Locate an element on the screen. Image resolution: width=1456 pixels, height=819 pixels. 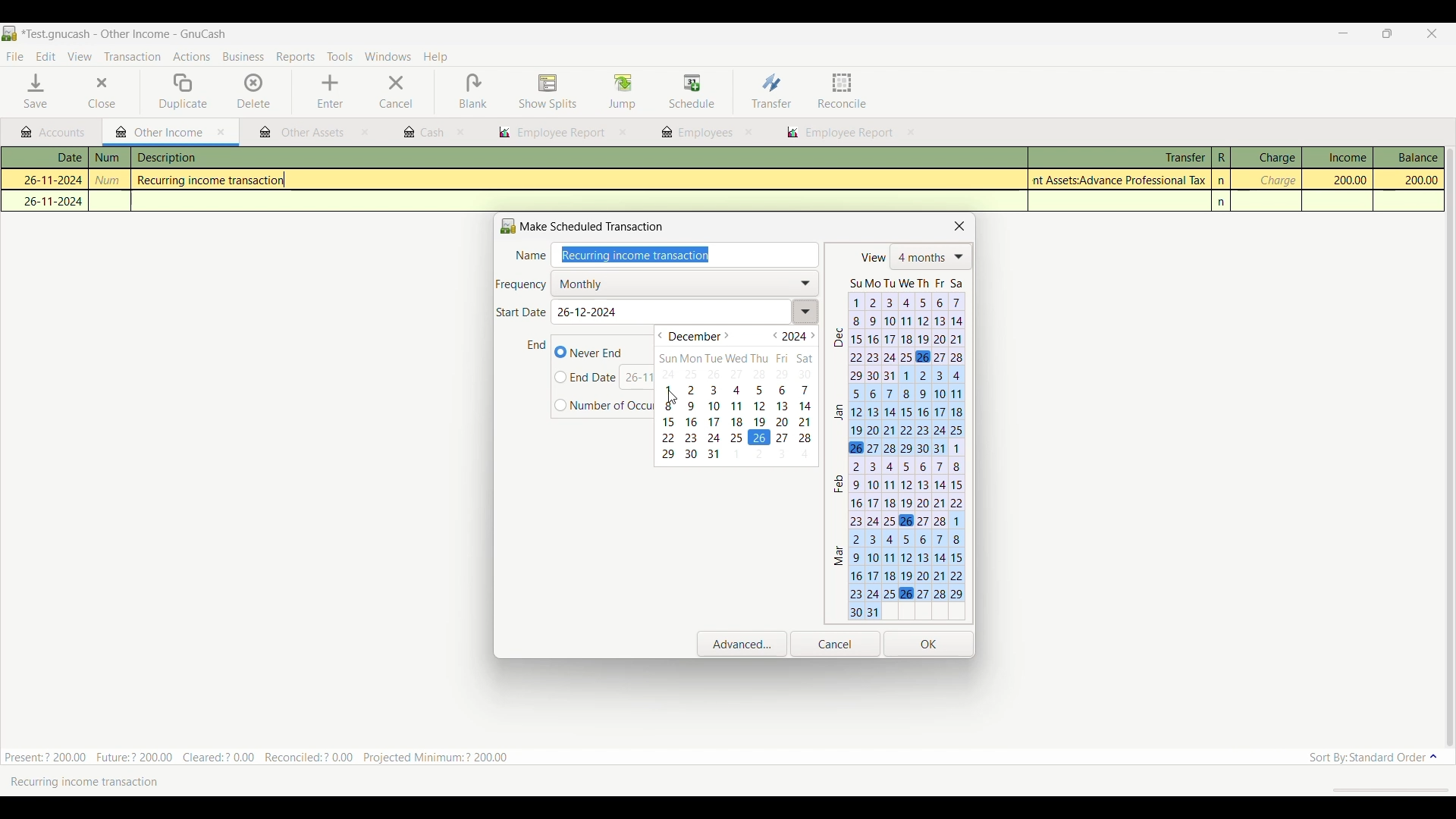
Windows menu is located at coordinates (388, 57).